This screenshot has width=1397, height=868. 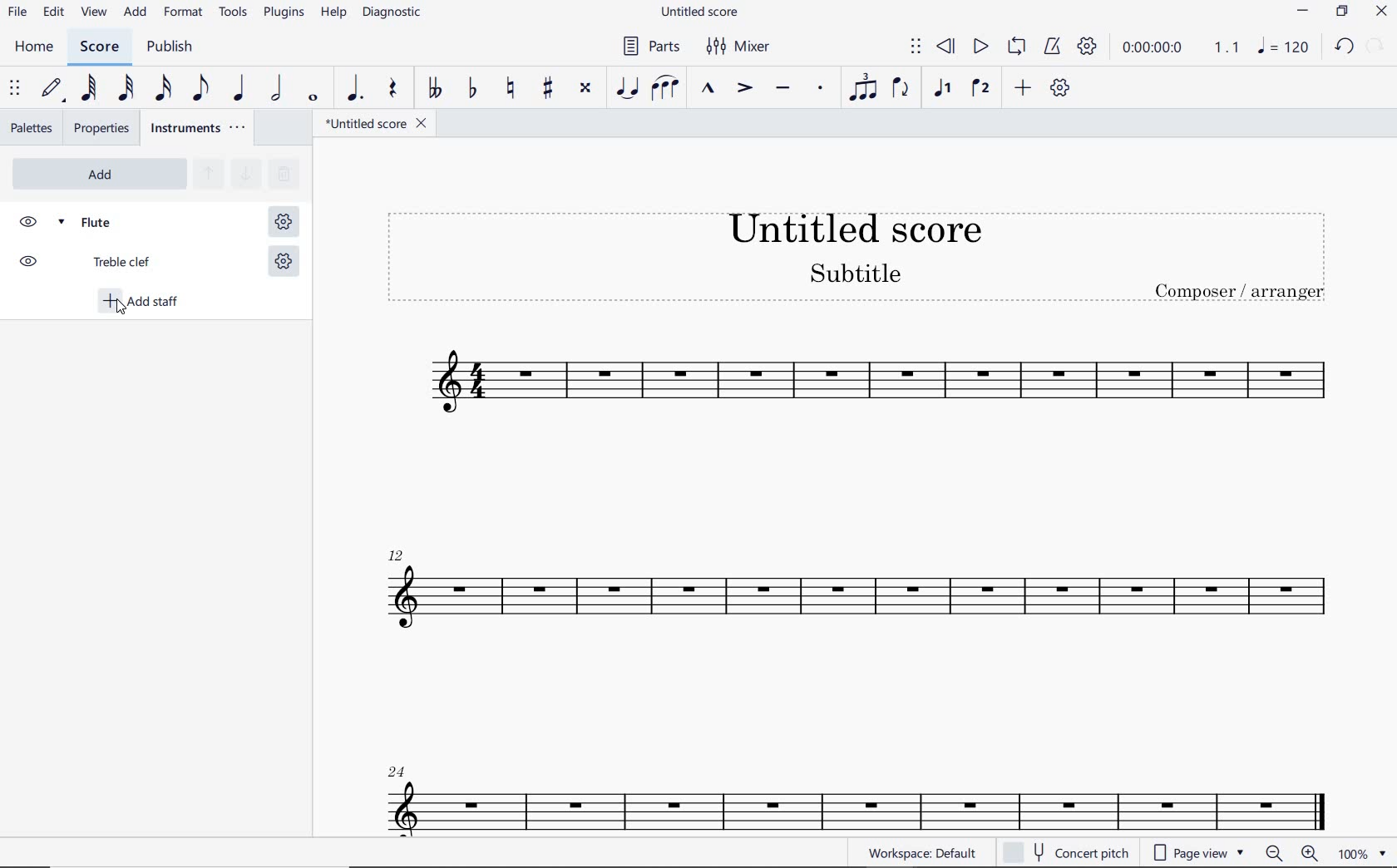 I want to click on TREBLE CLEF, so click(x=102, y=261).